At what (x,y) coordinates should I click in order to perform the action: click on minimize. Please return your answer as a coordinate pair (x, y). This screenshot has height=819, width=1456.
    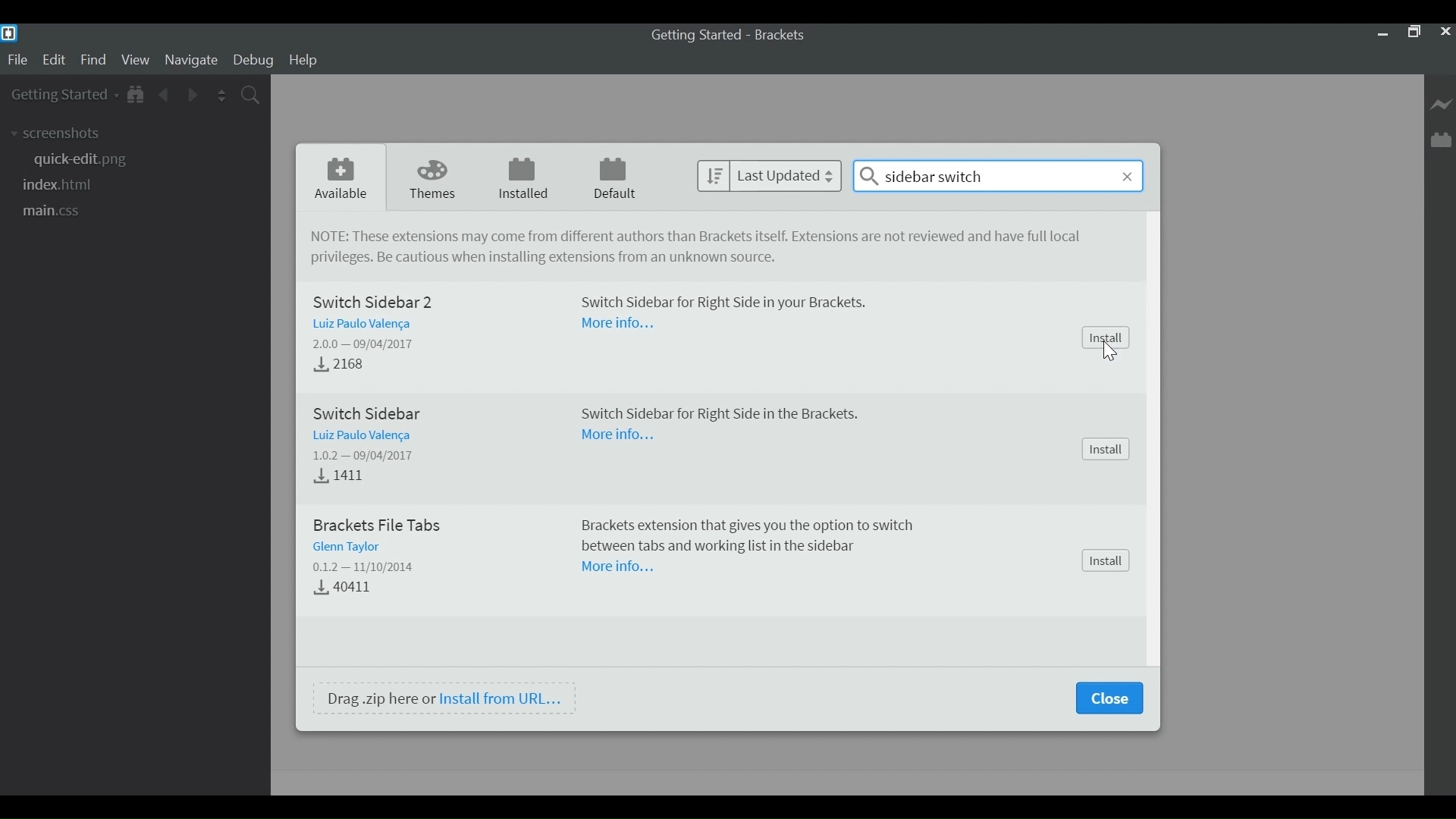
    Looking at the image, I should click on (1382, 33).